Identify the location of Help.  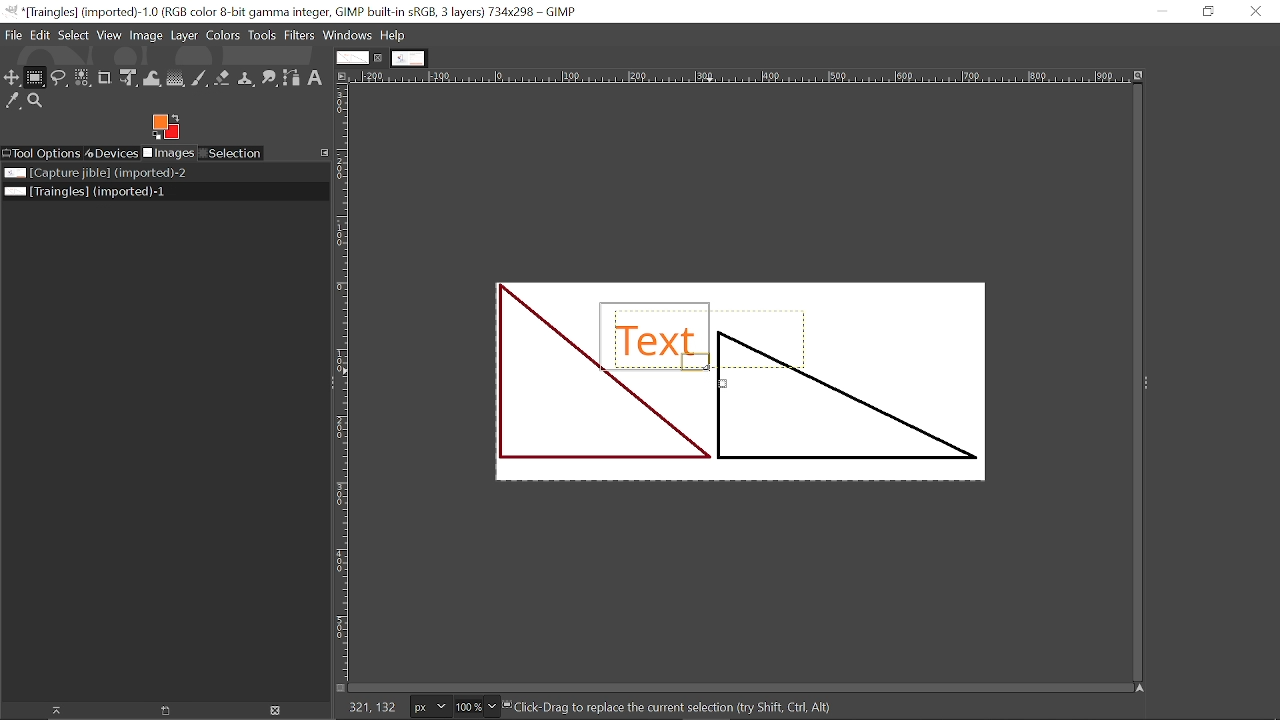
(393, 35).